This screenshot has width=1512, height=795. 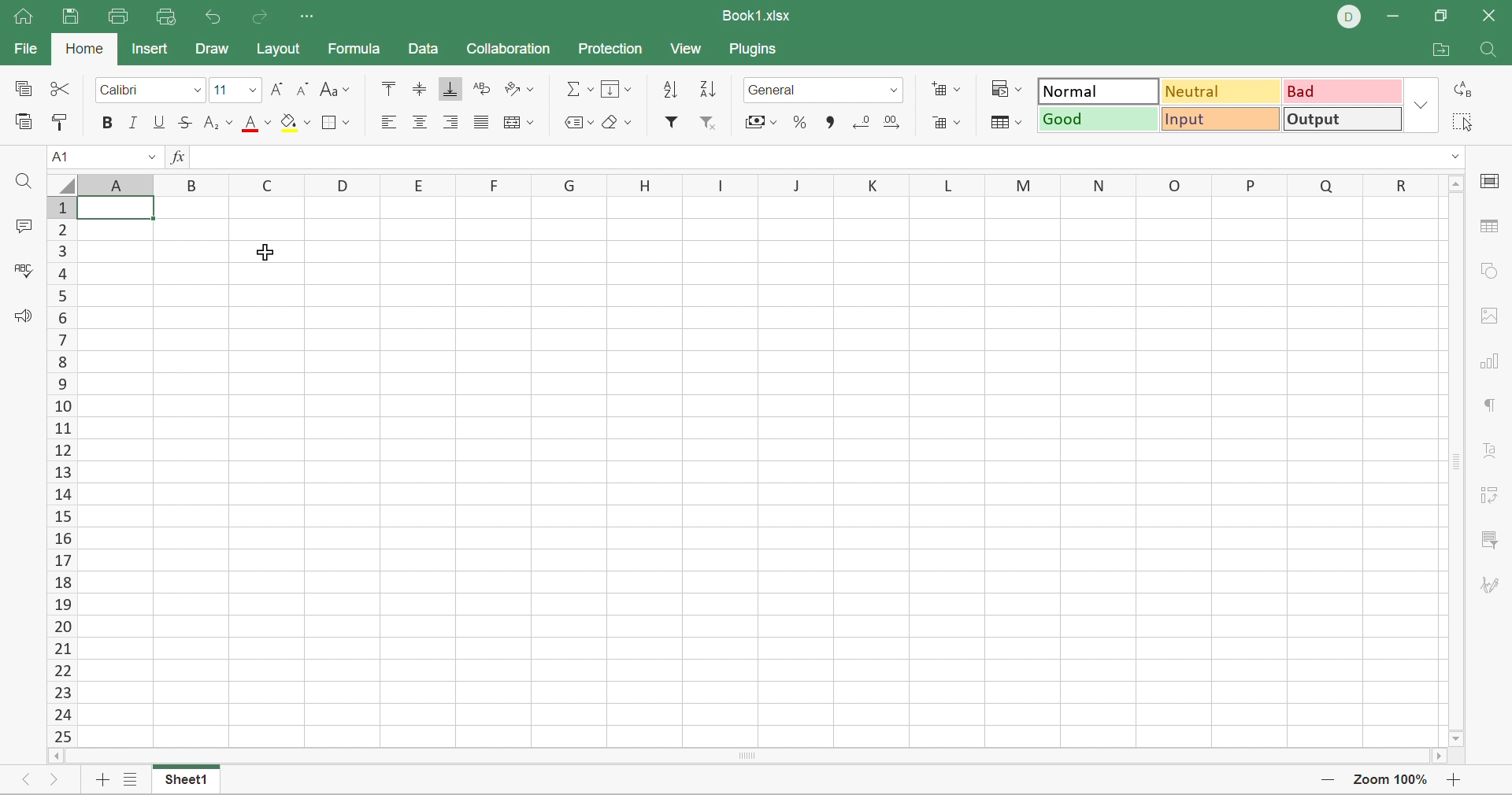 What do you see at coordinates (512, 48) in the screenshot?
I see `Collaboration` at bounding box center [512, 48].